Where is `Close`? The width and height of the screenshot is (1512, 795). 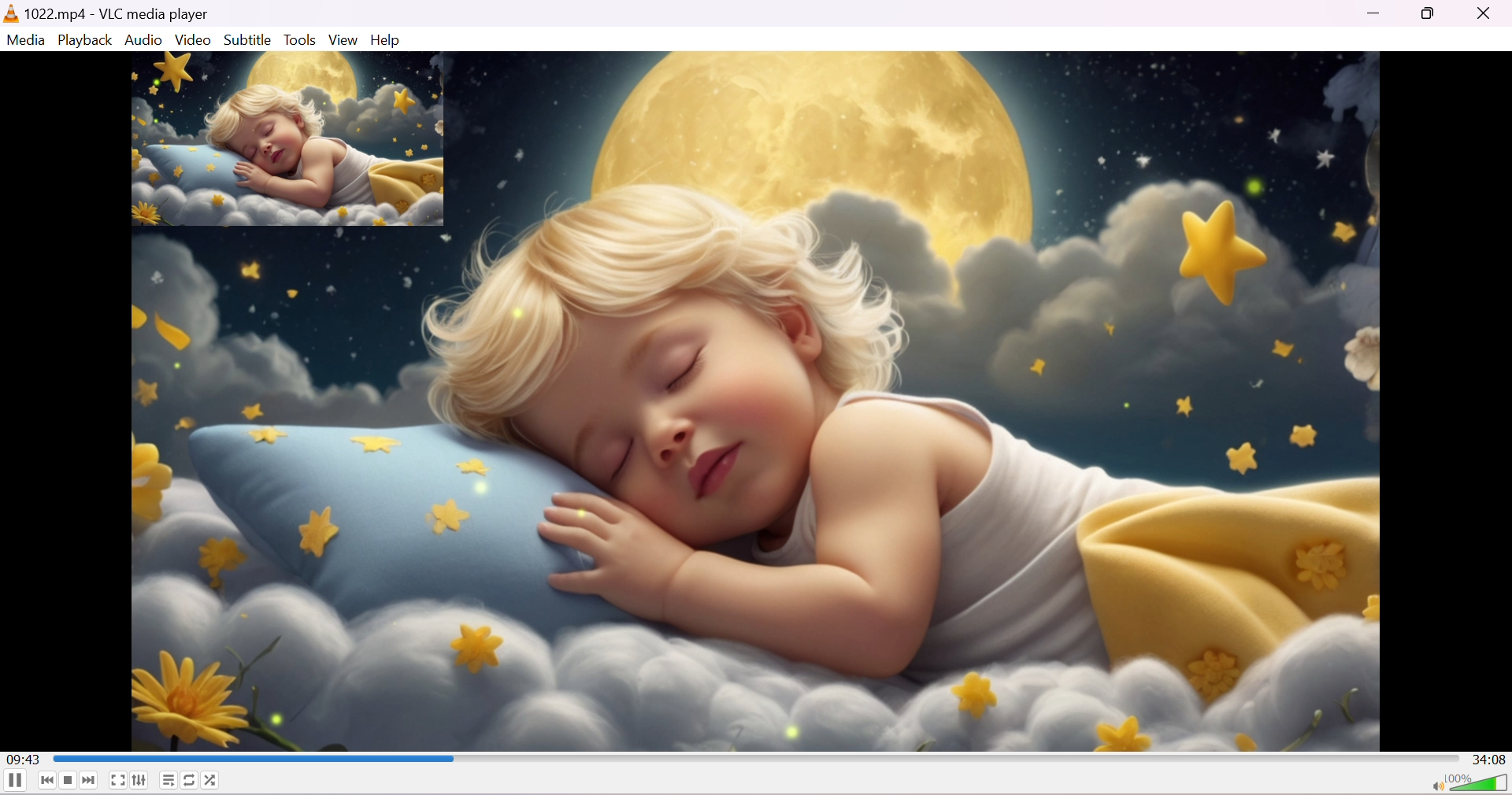 Close is located at coordinates (1488, 13).